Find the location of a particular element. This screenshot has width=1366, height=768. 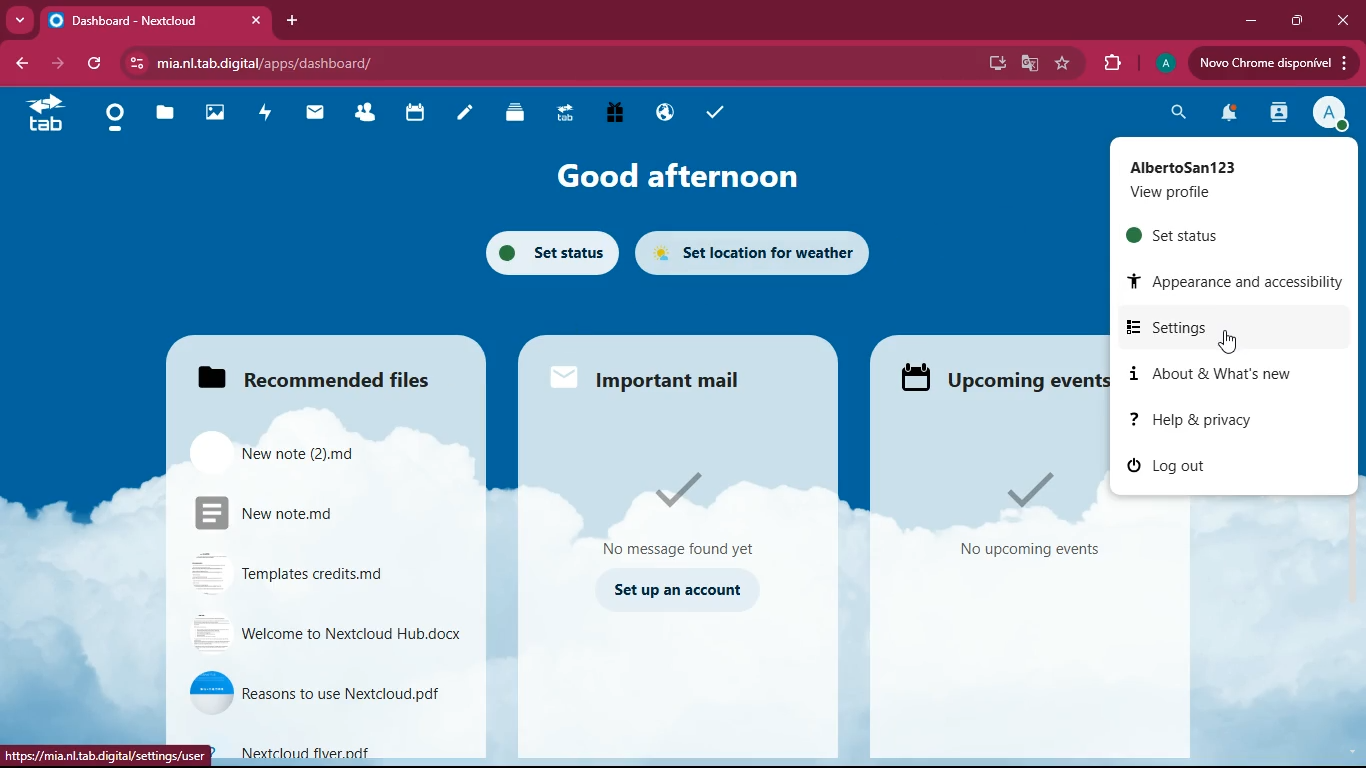

update is located at coordinates (1272, 63).